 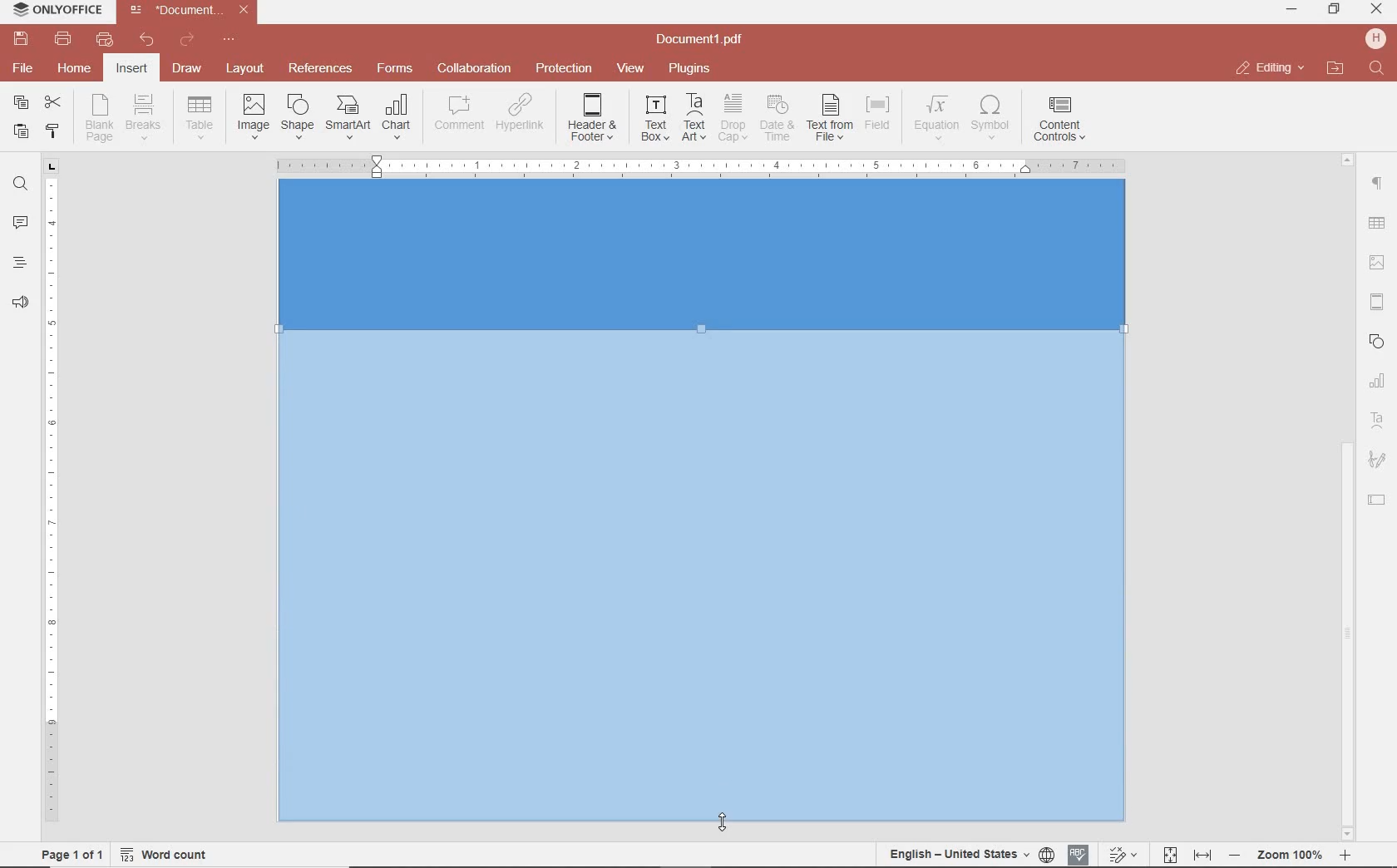 I want to click on quick print, so click(x=103, y=39).